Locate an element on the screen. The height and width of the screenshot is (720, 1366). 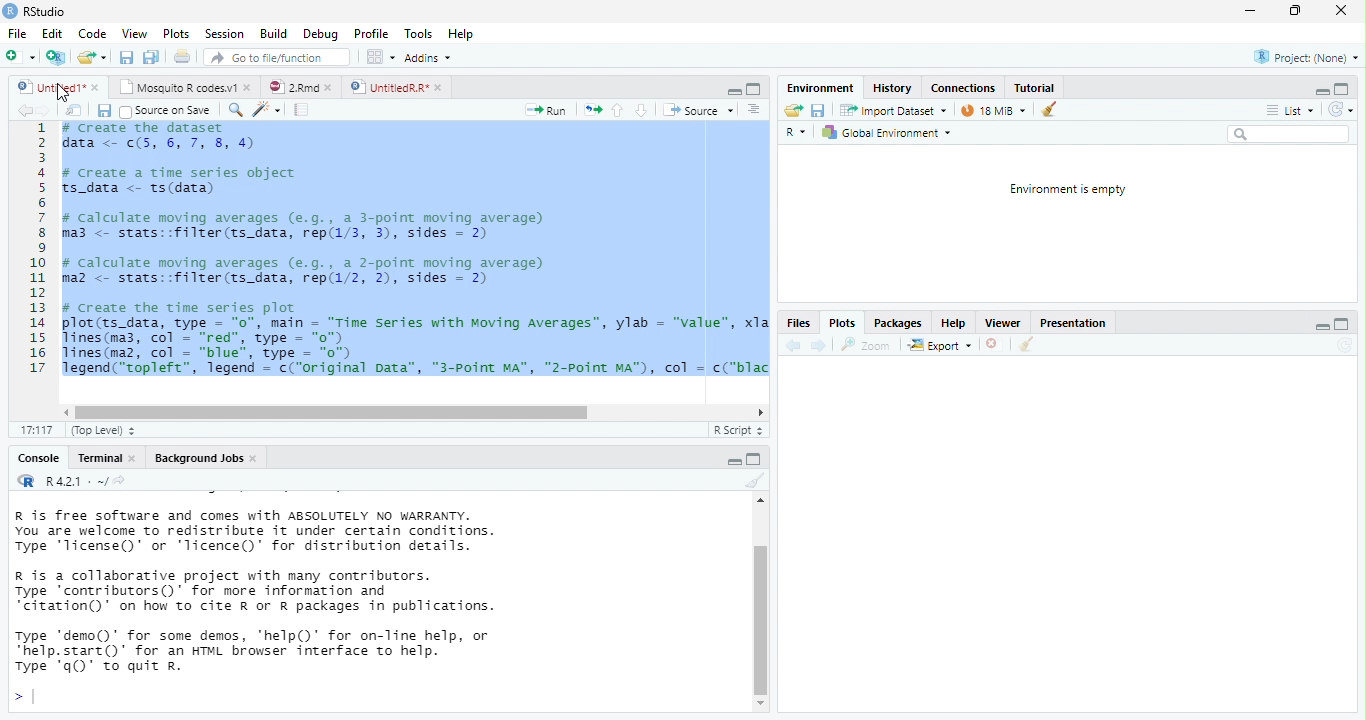
Go to file/function is located at coordinates (273, 57).